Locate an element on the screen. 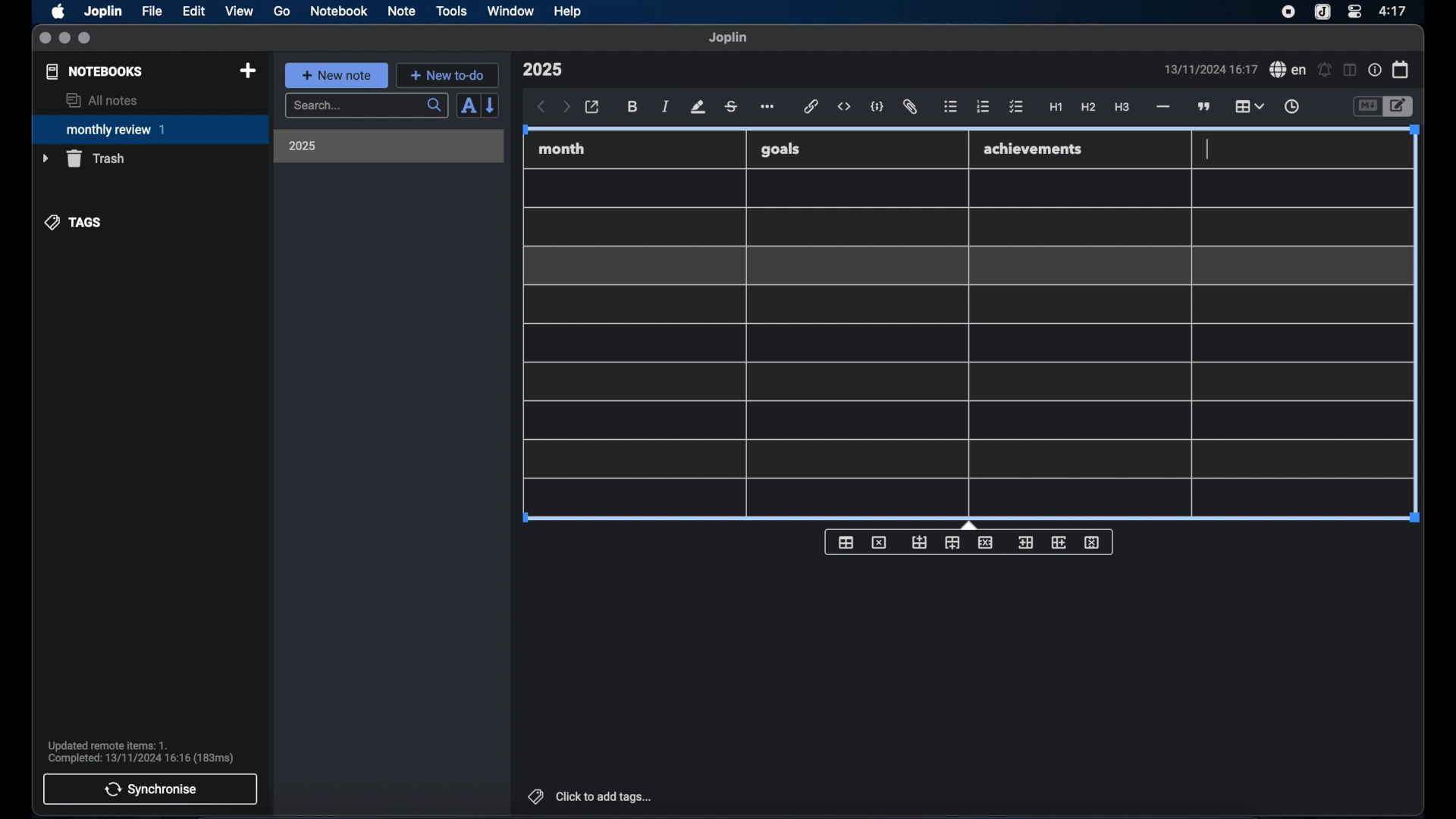 The height and width of the screenshot is (819, 1456). apple icon is located at coordinates (57, 11).